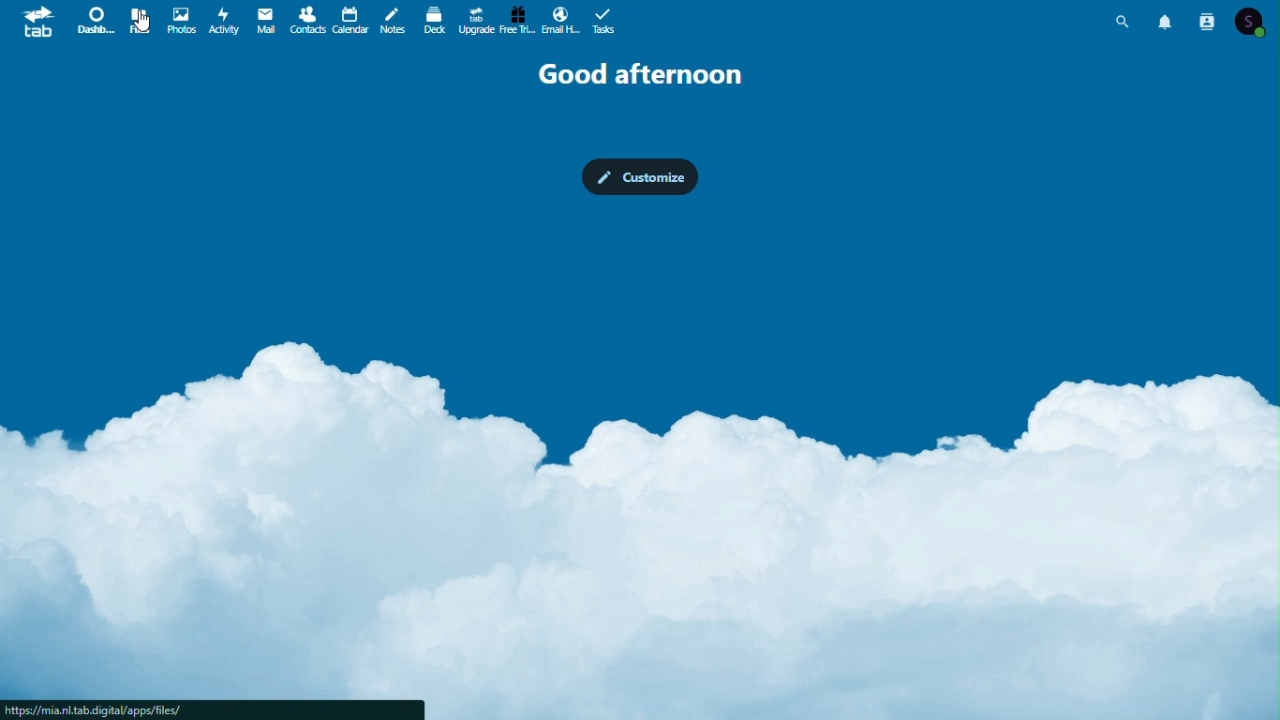 The height and width of the screenshot is (720, 1280). What do you see at coordinates (392, 22) in the screenshot?
I see `notes` at bounding box center [392, 22].